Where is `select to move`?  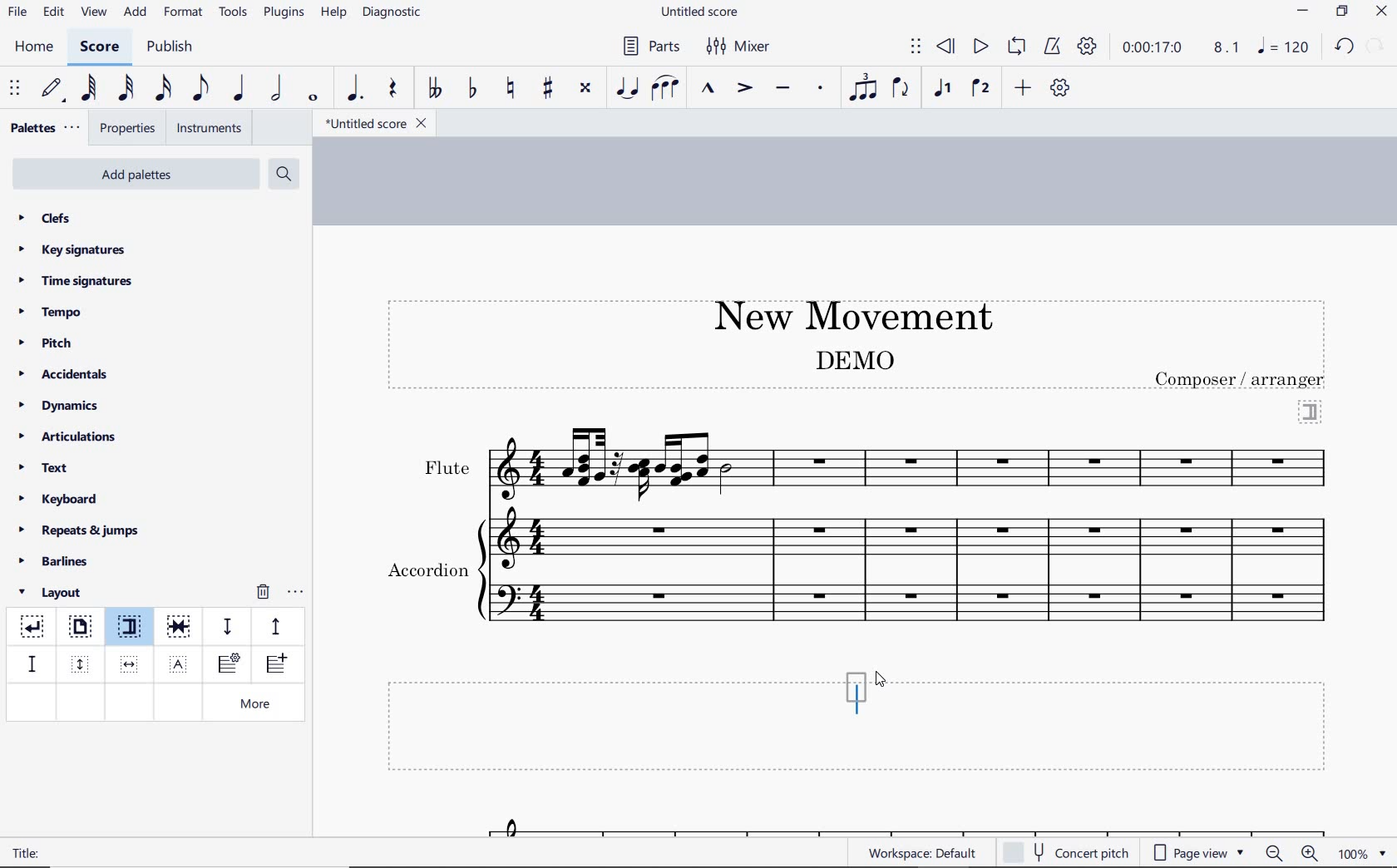 select to move is located at coordinates (17, 89).